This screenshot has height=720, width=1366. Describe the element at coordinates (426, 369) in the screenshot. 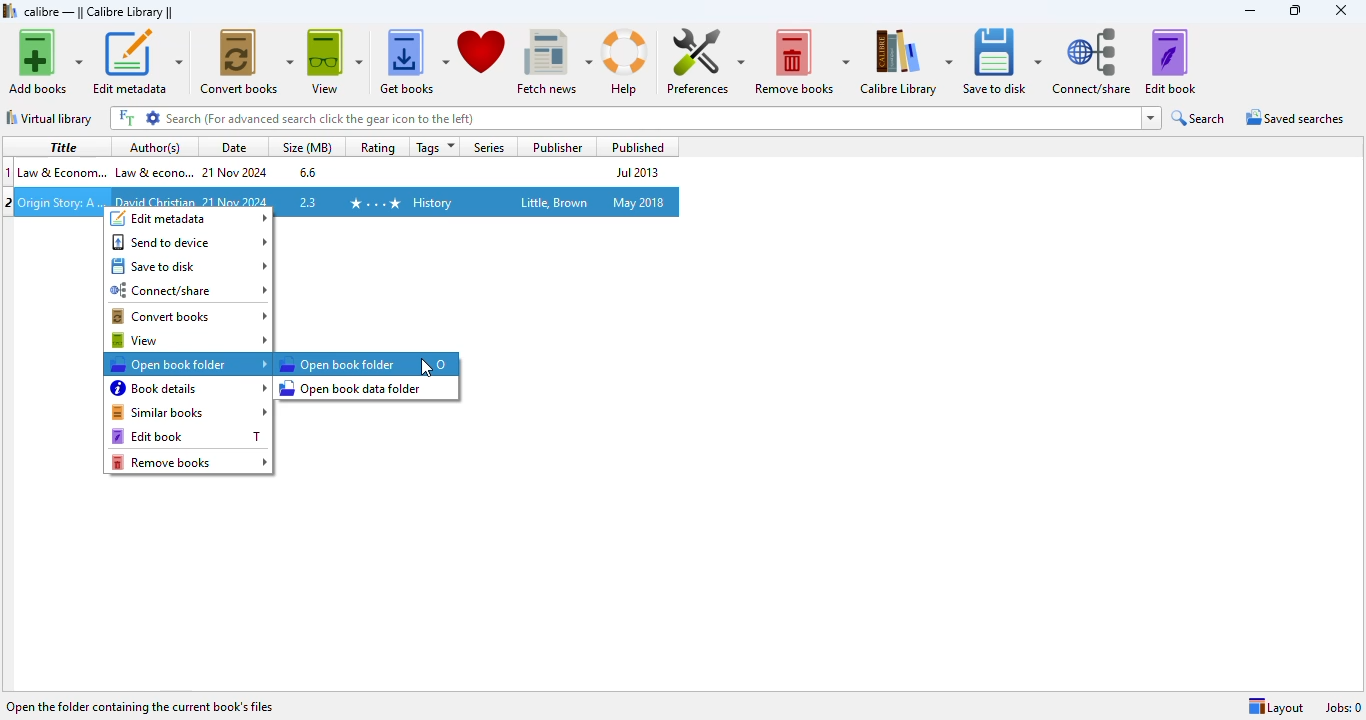

I see `cursor` at that location.